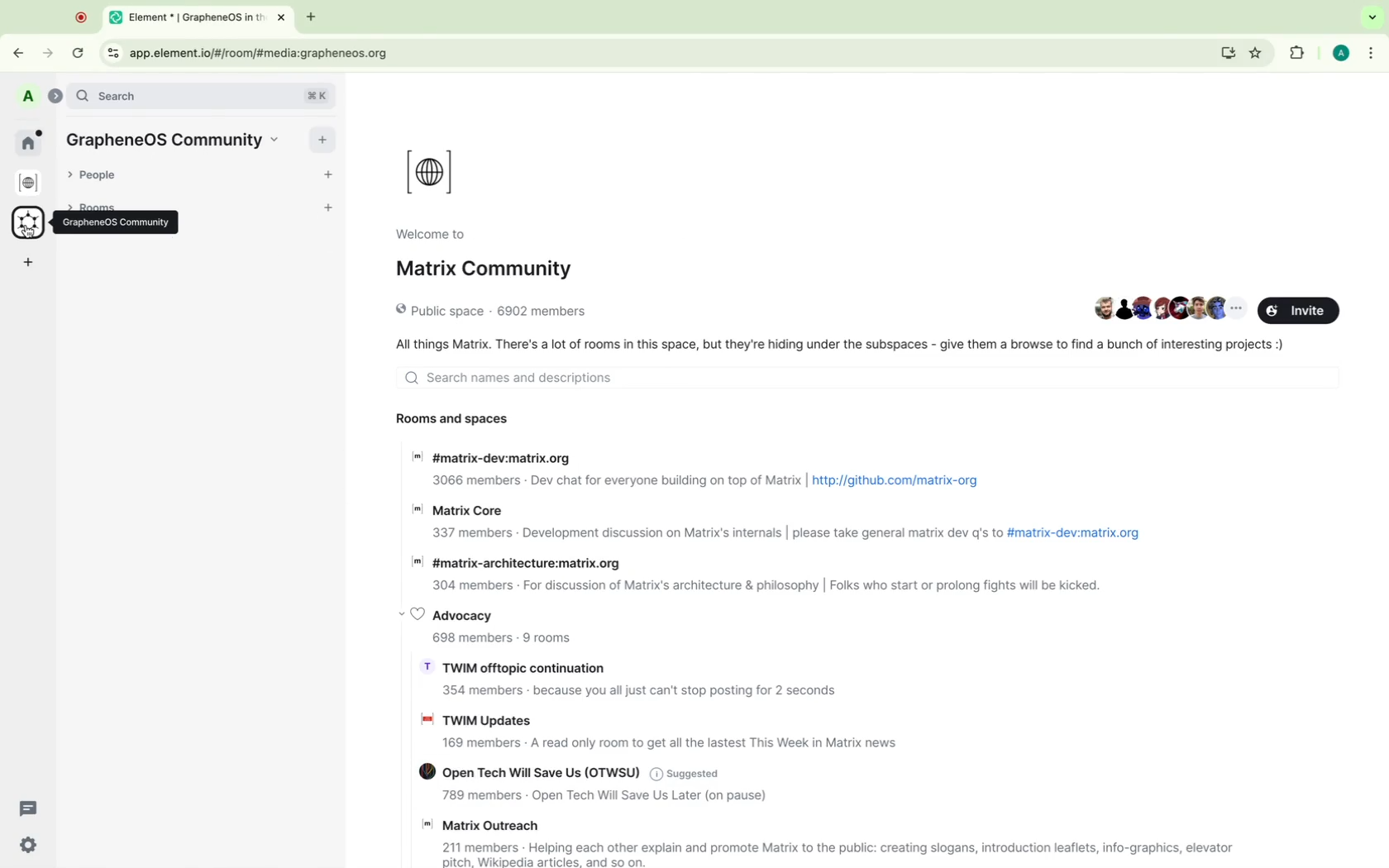  What do you see at coordinates (30, 183) in the screenshot?
I see `server icon` at bounding box center [30, 183].